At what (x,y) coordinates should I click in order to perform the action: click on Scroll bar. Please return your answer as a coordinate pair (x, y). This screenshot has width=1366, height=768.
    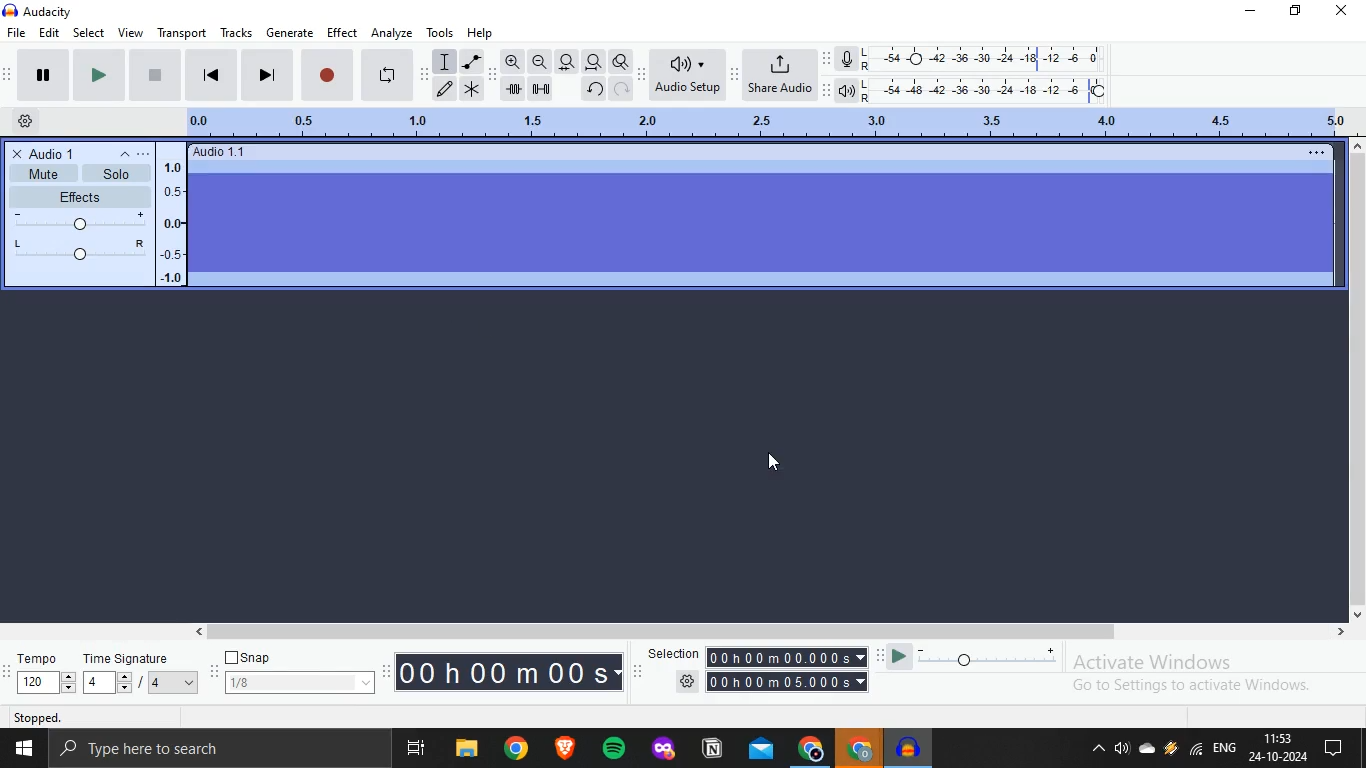
    Looking at the image, I should click on (1357, 386).